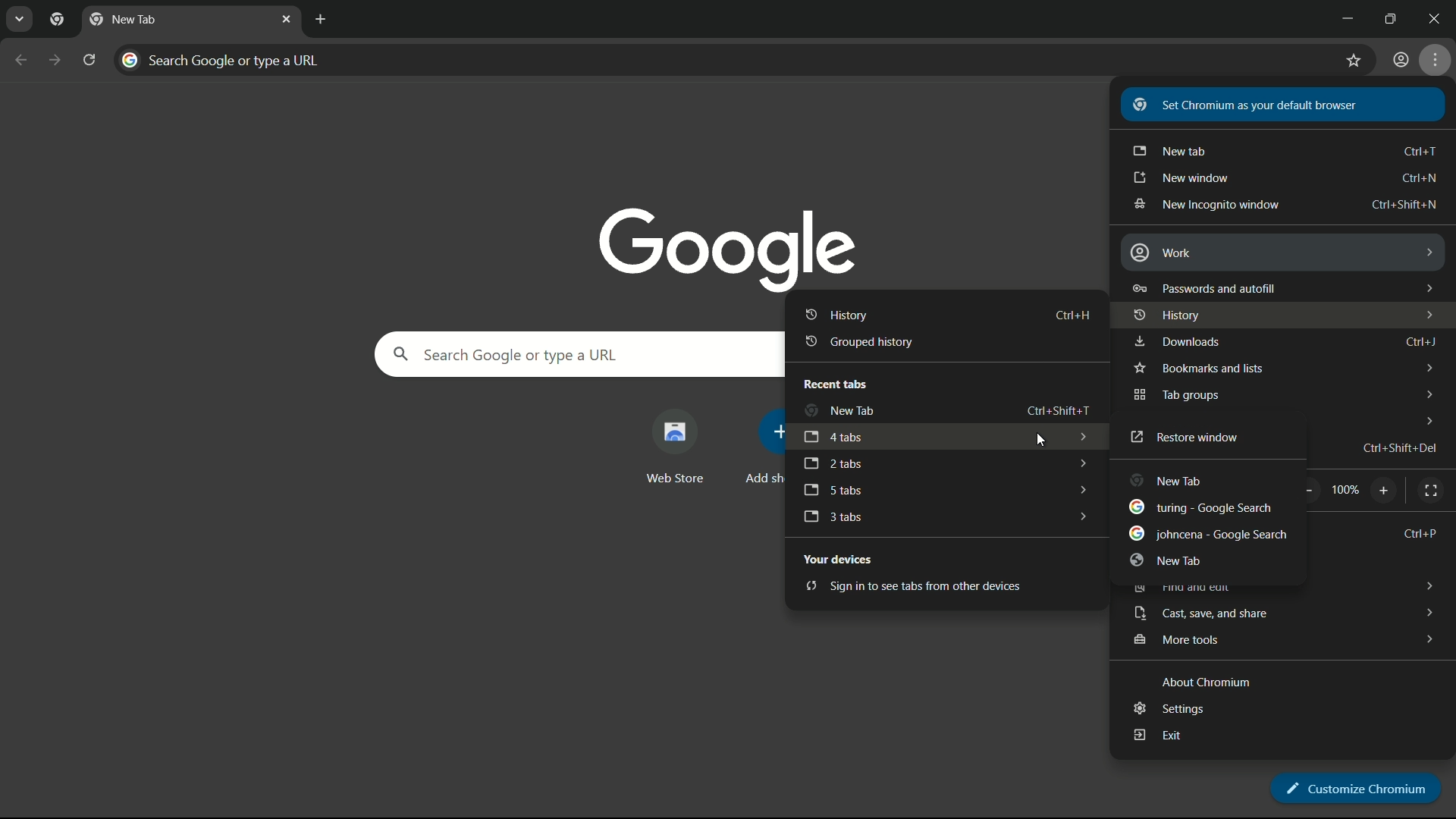 This screenshot has height=819, width=1456. I want to click on dropdown arrows, so click(1429, 613).